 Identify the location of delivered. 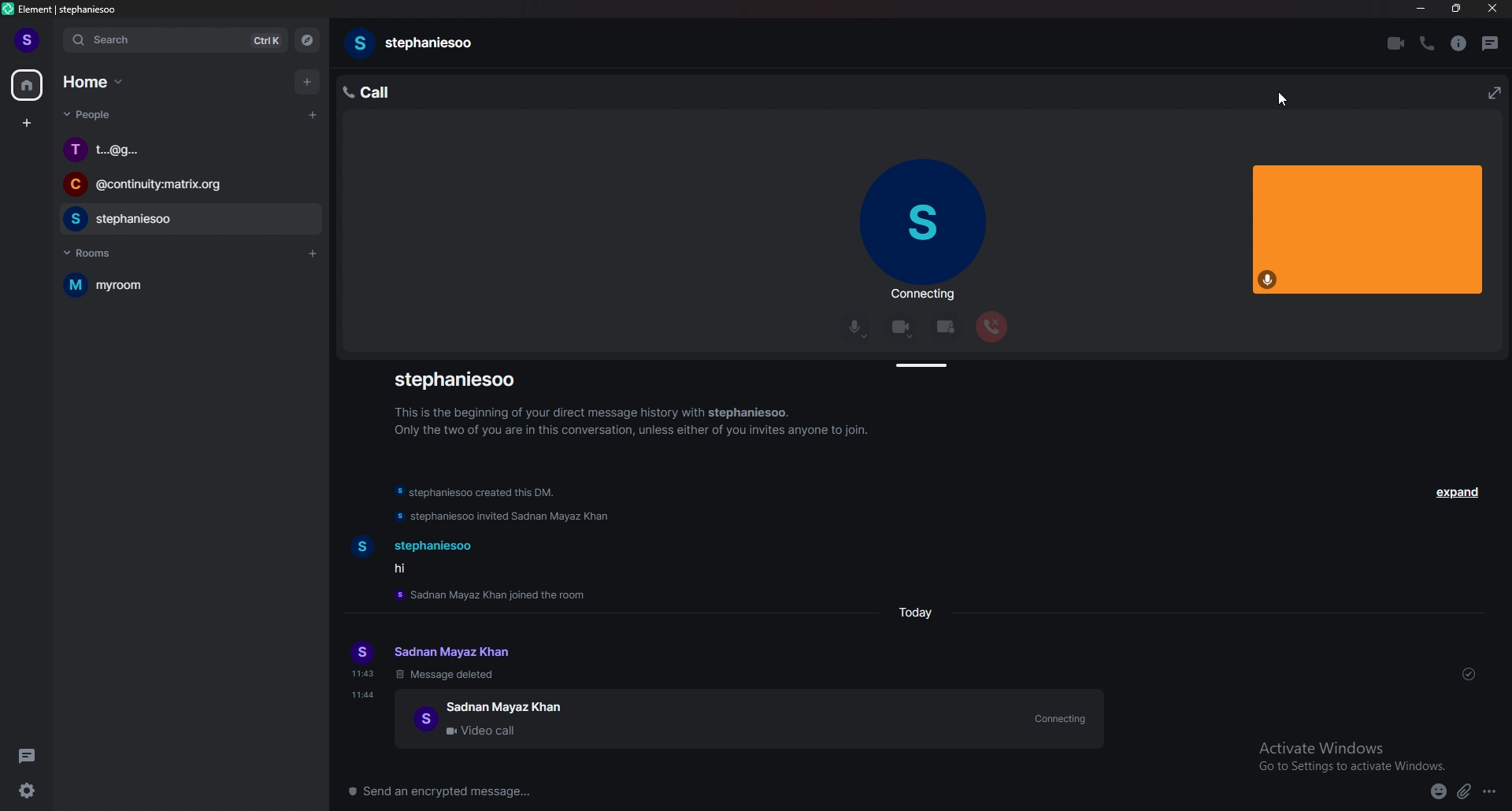
(1478, 744).